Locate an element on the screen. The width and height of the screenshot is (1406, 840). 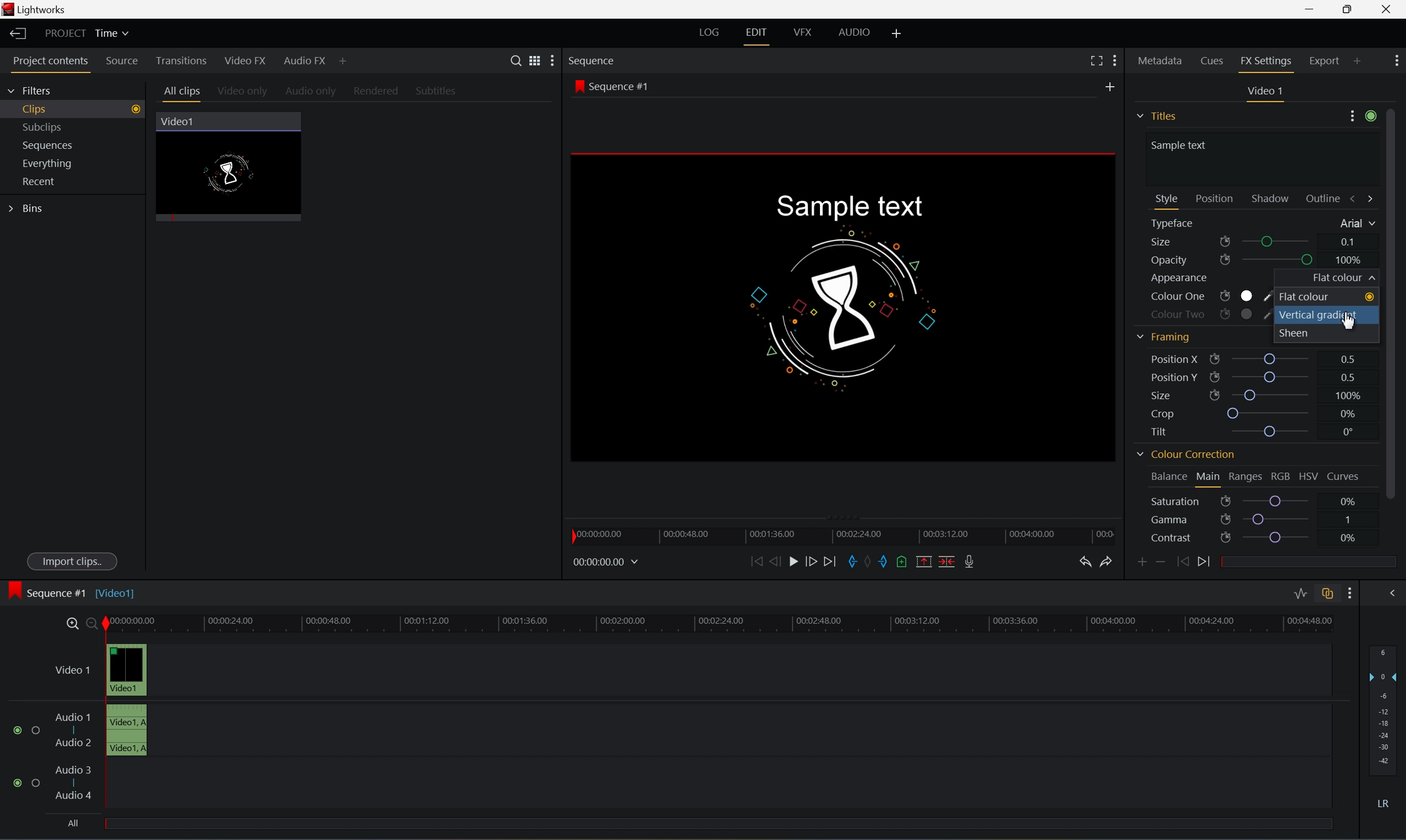
Transitions is located at coordinates (181, 61).